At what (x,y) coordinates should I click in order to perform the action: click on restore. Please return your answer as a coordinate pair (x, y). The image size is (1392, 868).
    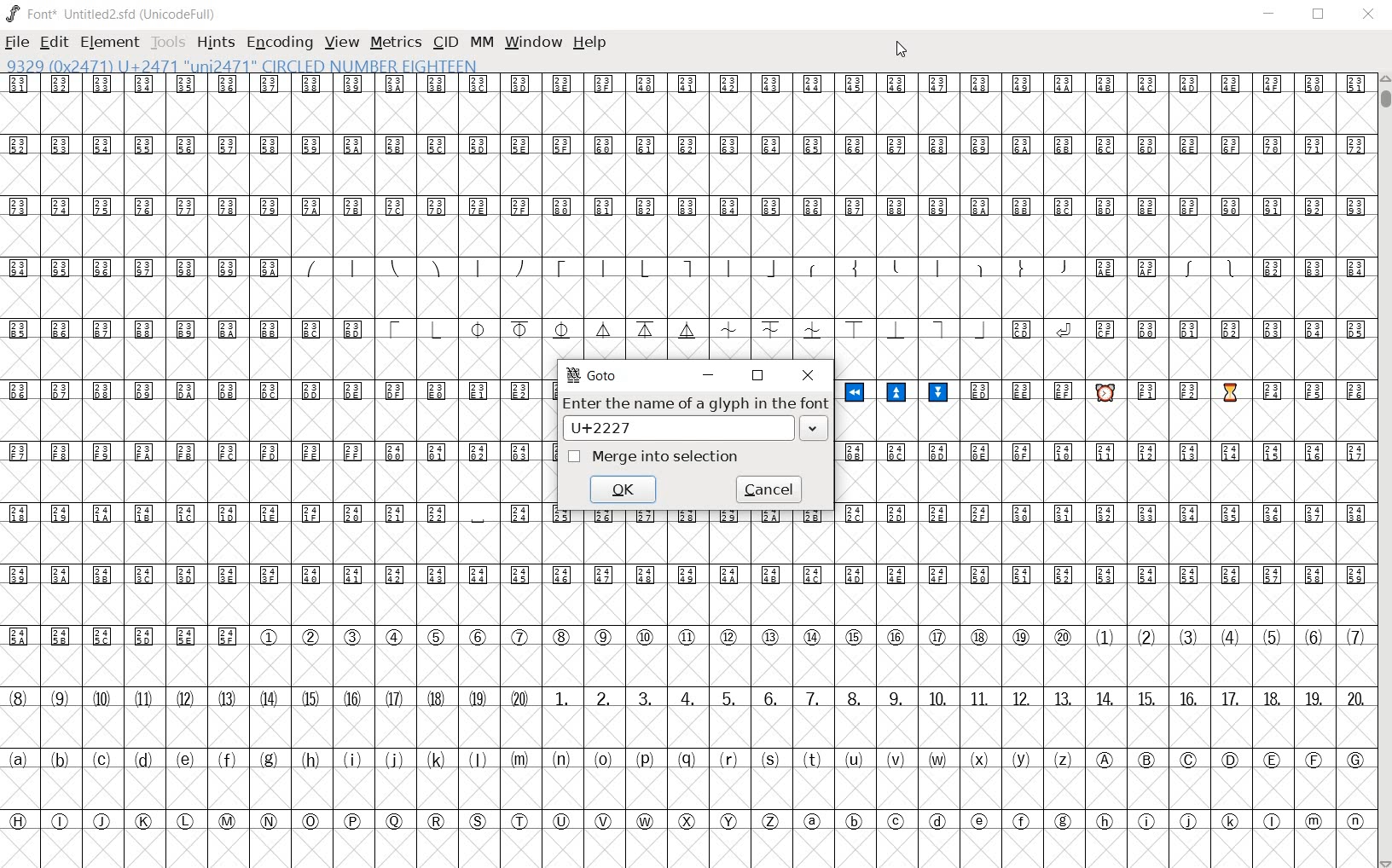
    Looking at the image, I should click on (758, 376).